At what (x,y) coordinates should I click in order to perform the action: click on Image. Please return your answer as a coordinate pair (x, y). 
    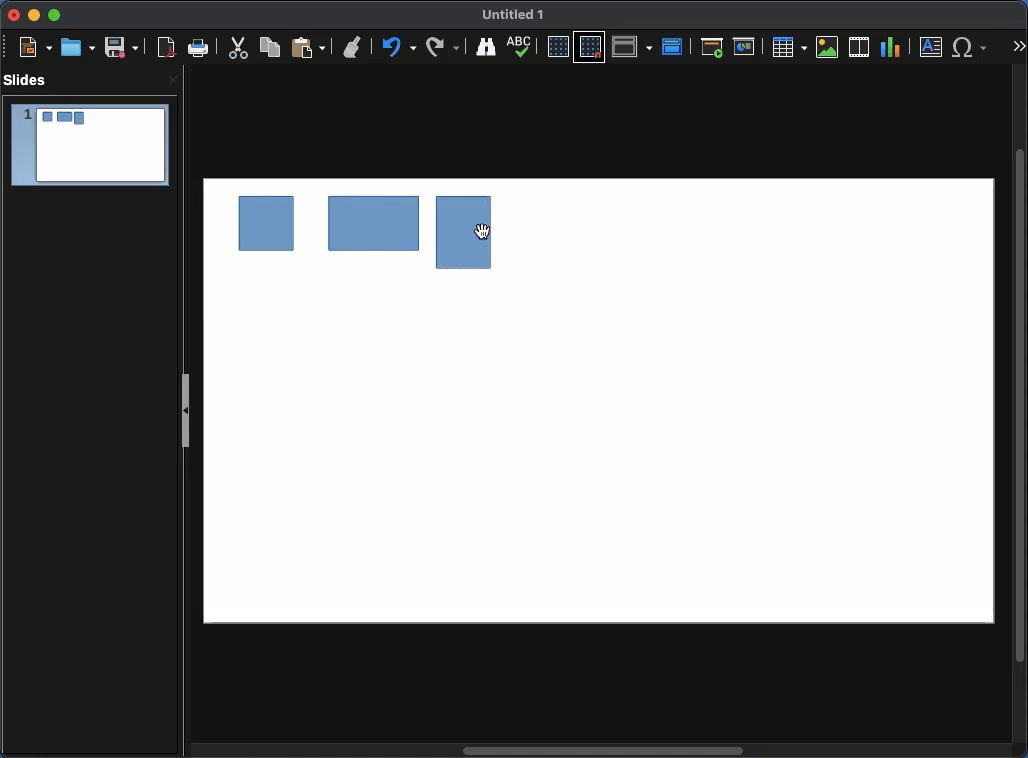
    Looking at the image, I should click on (829, 48).